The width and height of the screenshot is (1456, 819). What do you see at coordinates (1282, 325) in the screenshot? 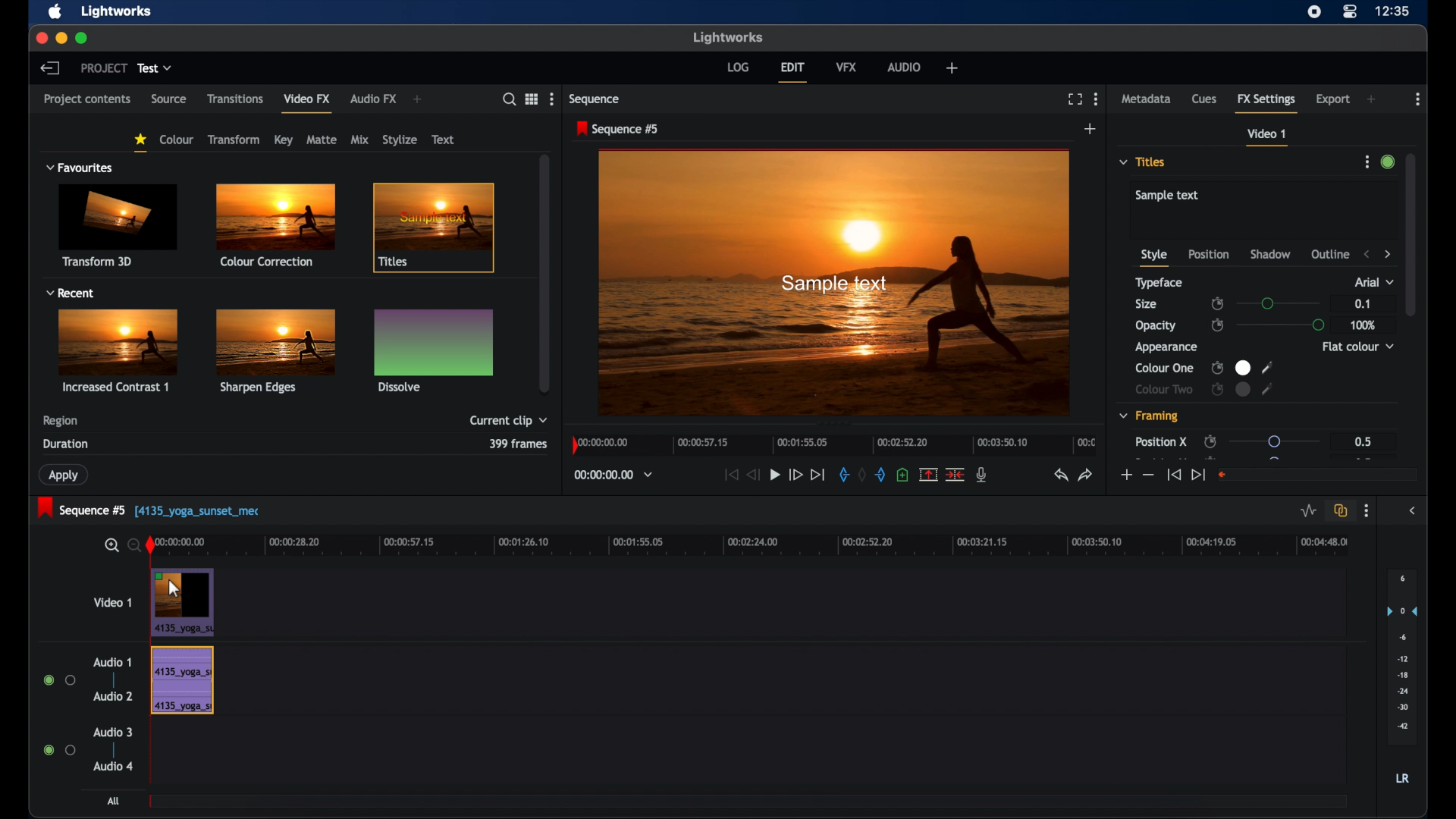
I see `slider` at bounding box center [1282, 325].